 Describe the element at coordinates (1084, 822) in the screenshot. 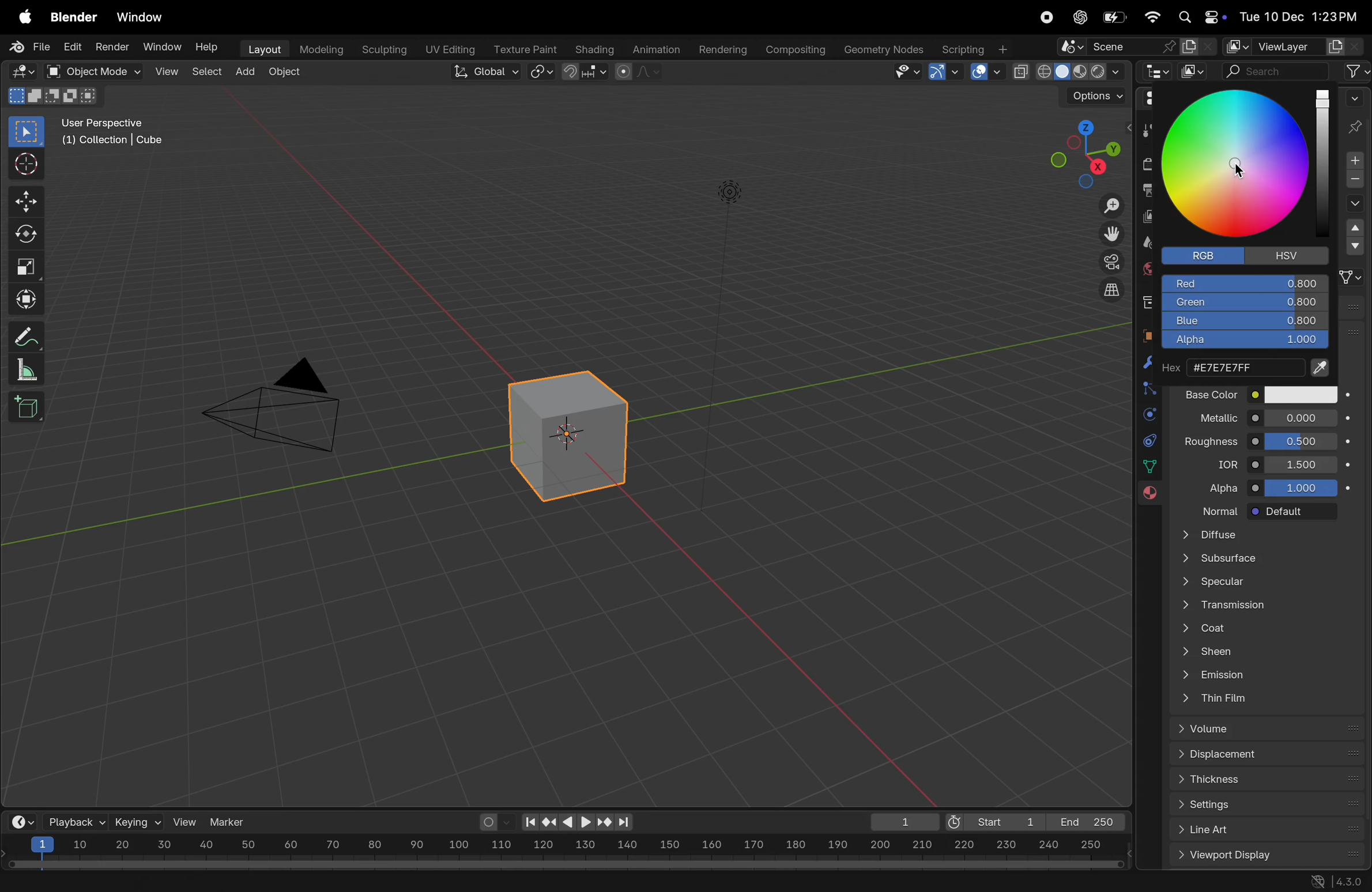

I see `end 250` at that location.